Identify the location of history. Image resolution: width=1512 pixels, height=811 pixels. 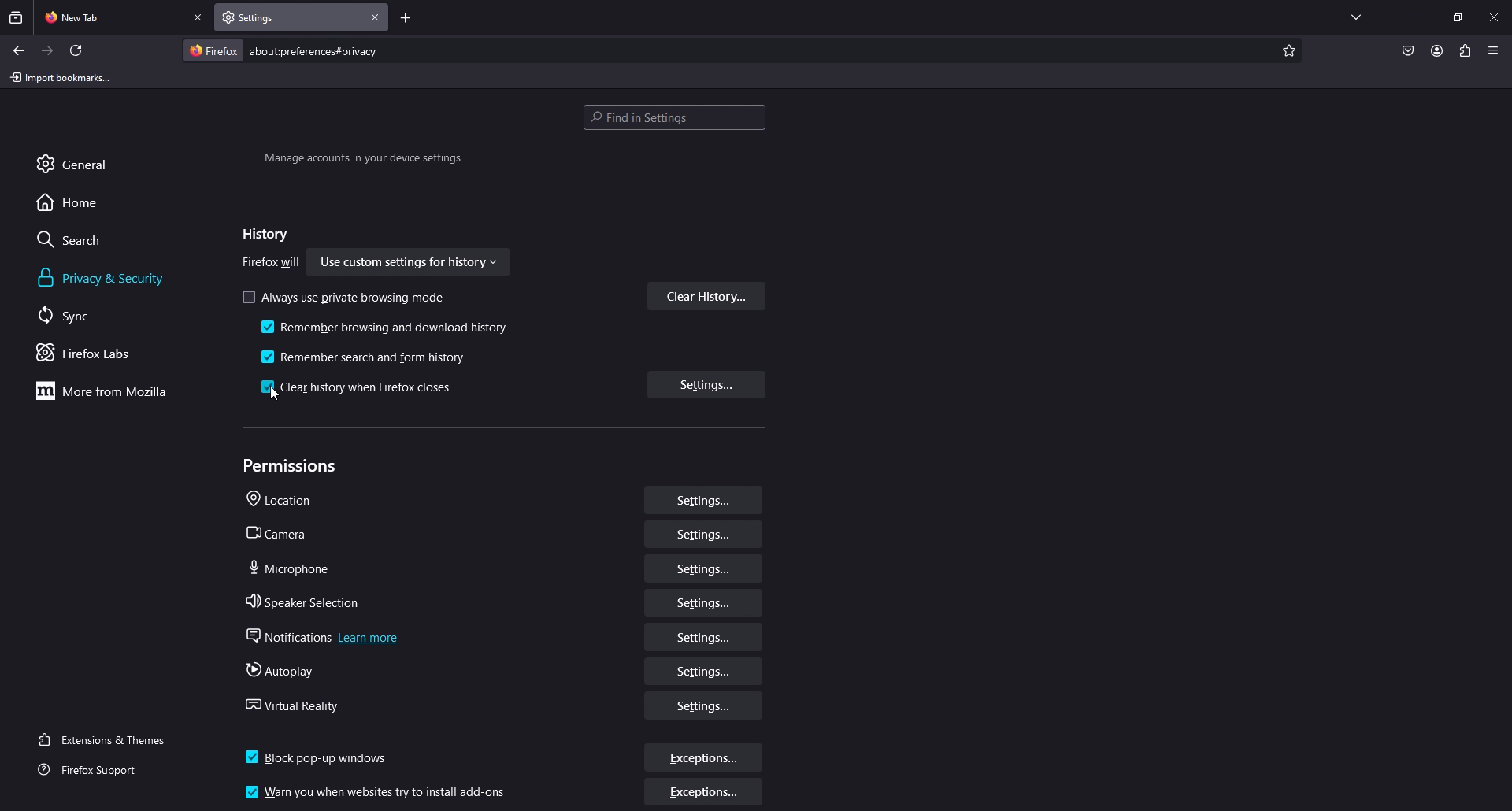
(261, 235).